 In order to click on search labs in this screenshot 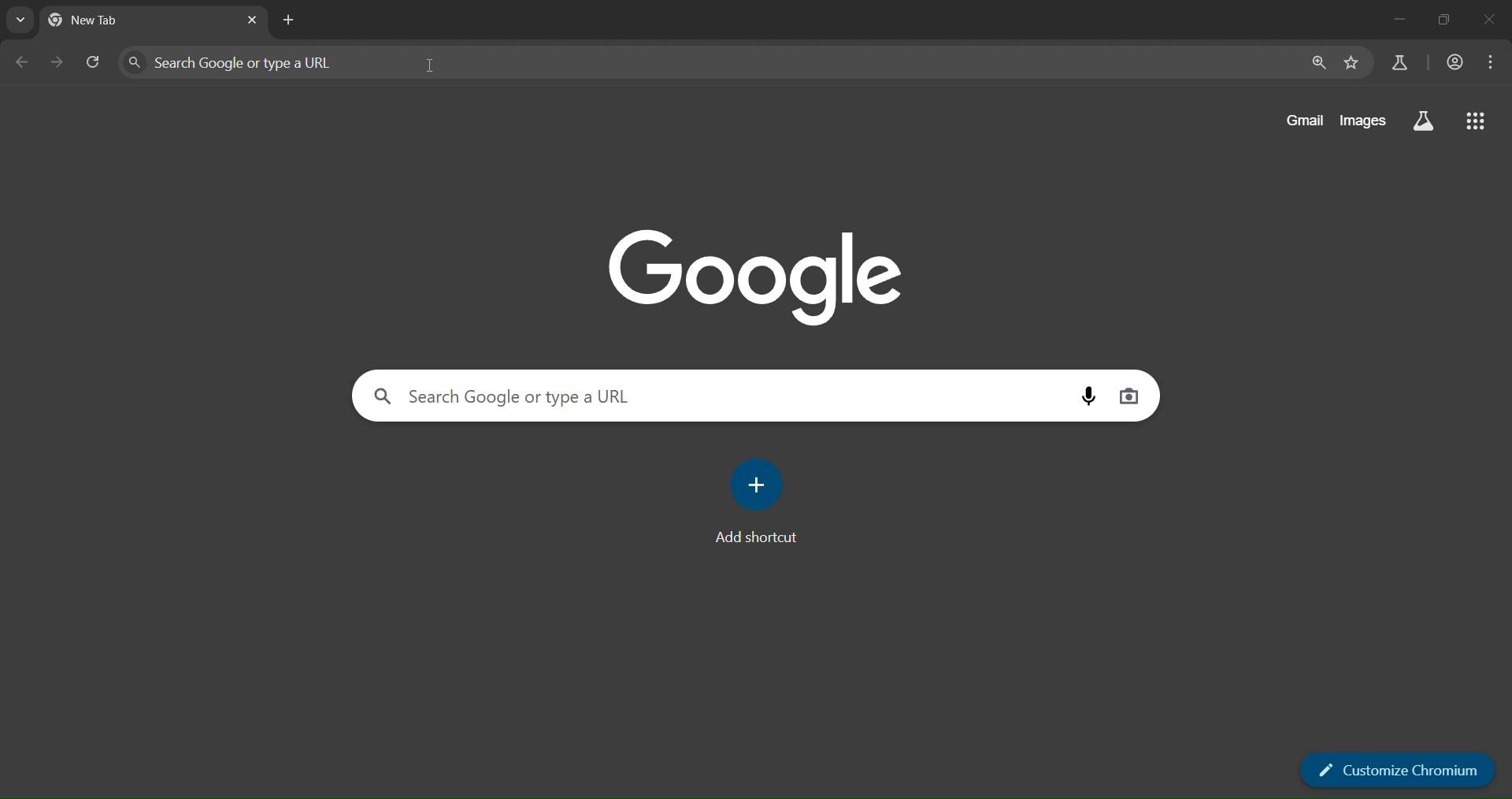, I will do `click(1399, 65)`.